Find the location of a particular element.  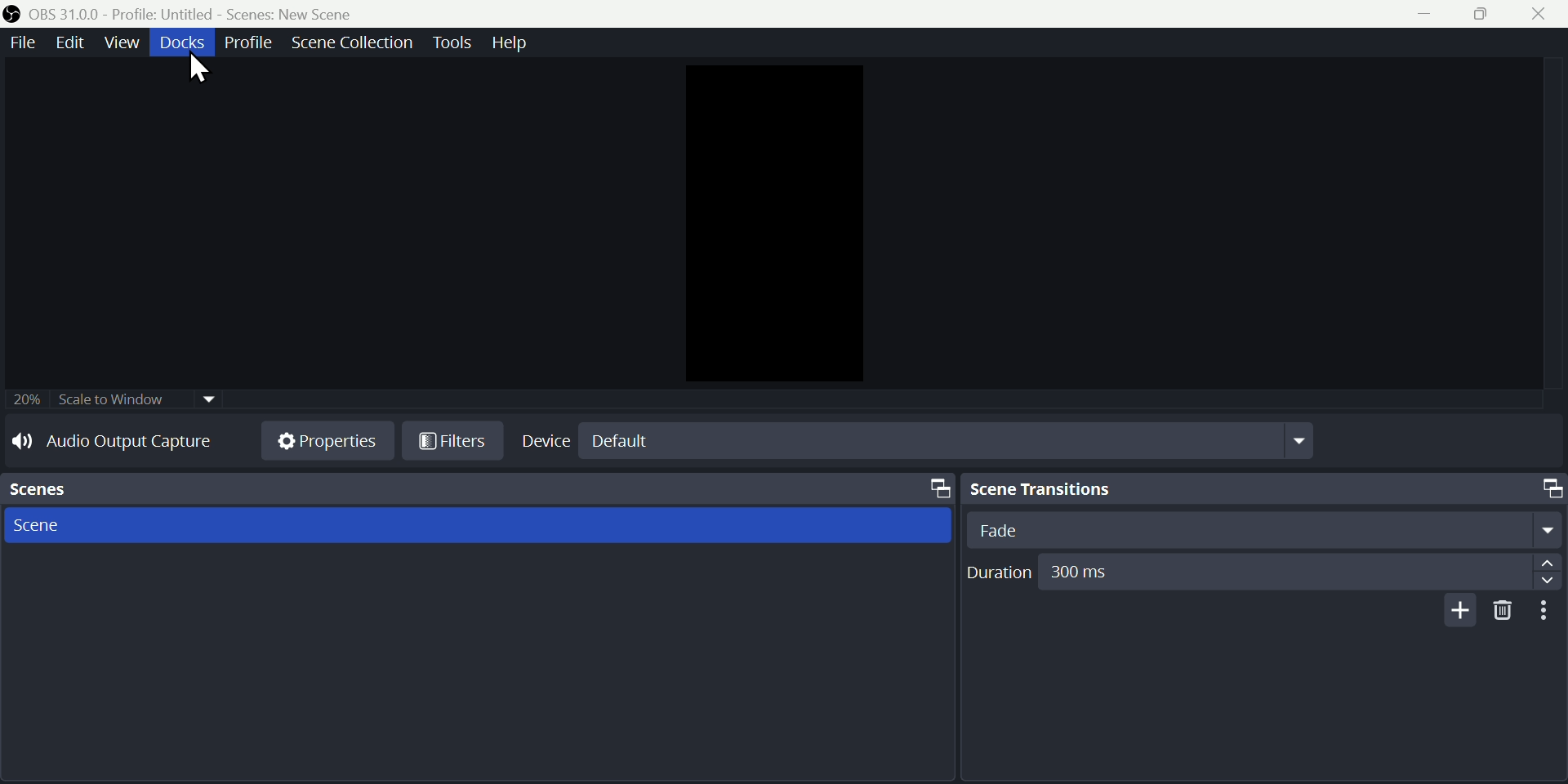

tools is located at coordinates (450, 43).